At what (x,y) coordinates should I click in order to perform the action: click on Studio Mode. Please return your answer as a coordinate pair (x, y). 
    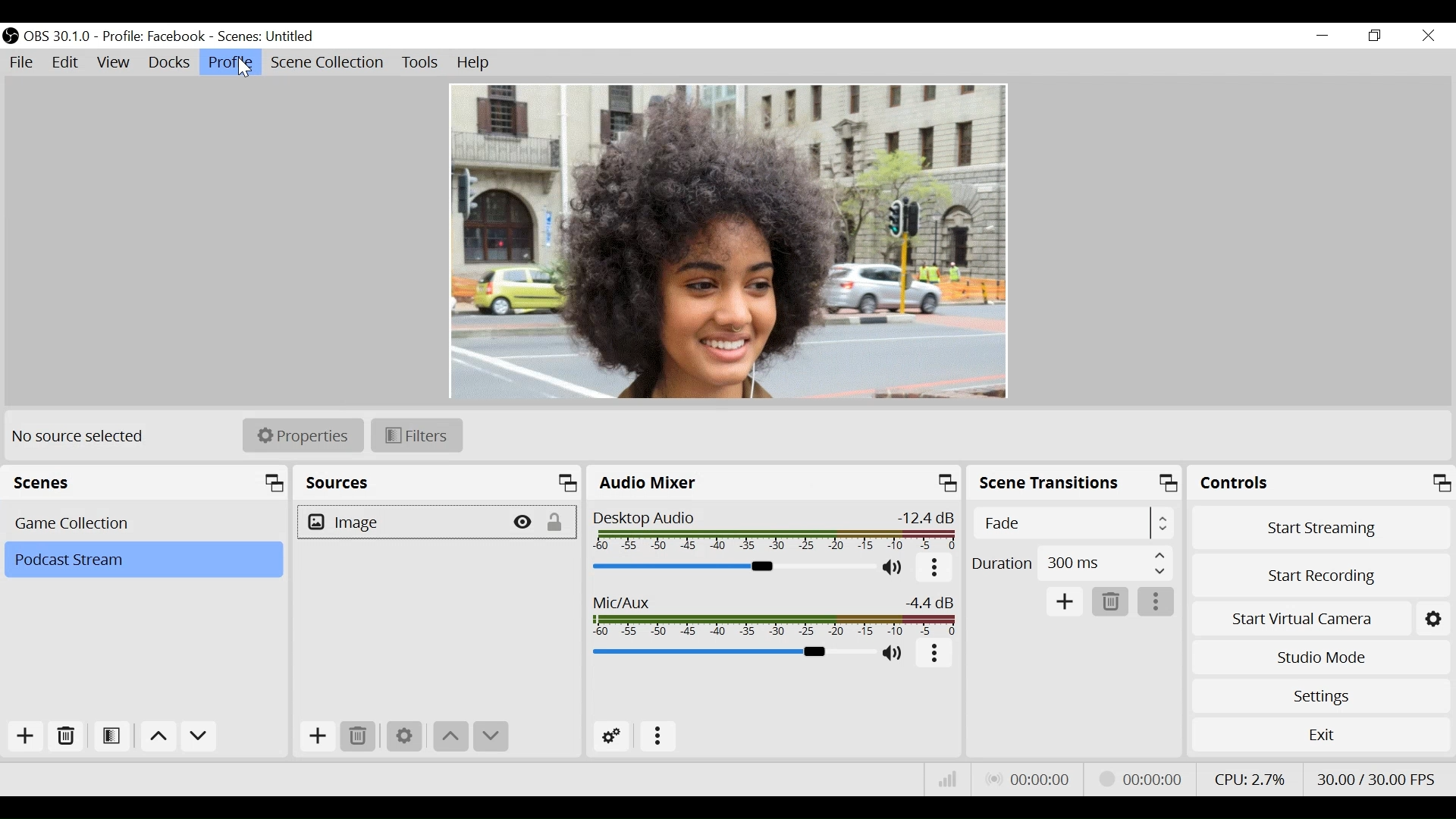
    Looking at the image, I should click on (1322, 658).